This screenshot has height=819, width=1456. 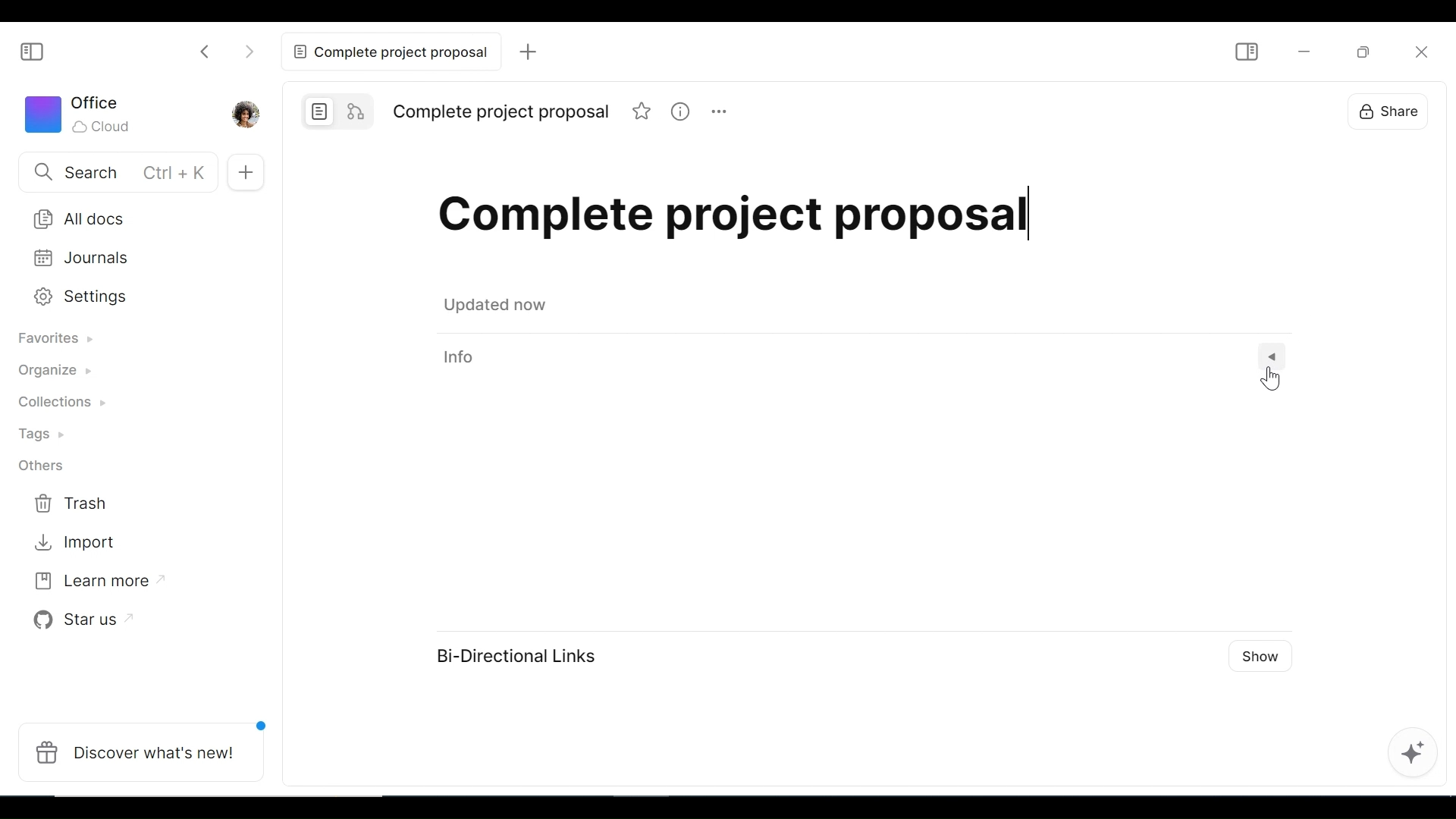 I want to click on Favorites, so click(x=66, y=341).